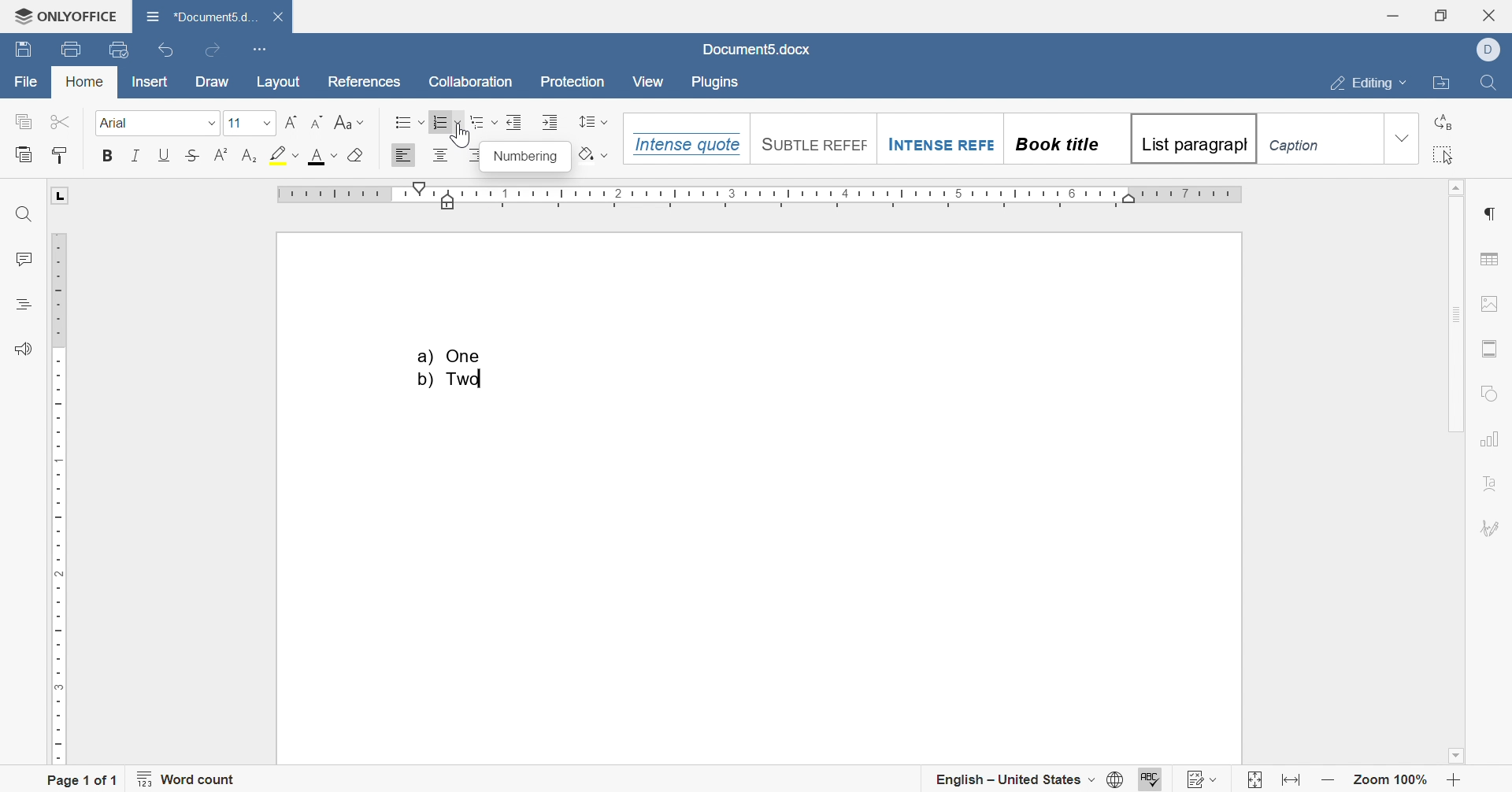 This screenshot has height=792, width=1512. What do you see at coordinates (1491, 483) in the screenshot?
I see `text art` at bounding box center [1491, 483].